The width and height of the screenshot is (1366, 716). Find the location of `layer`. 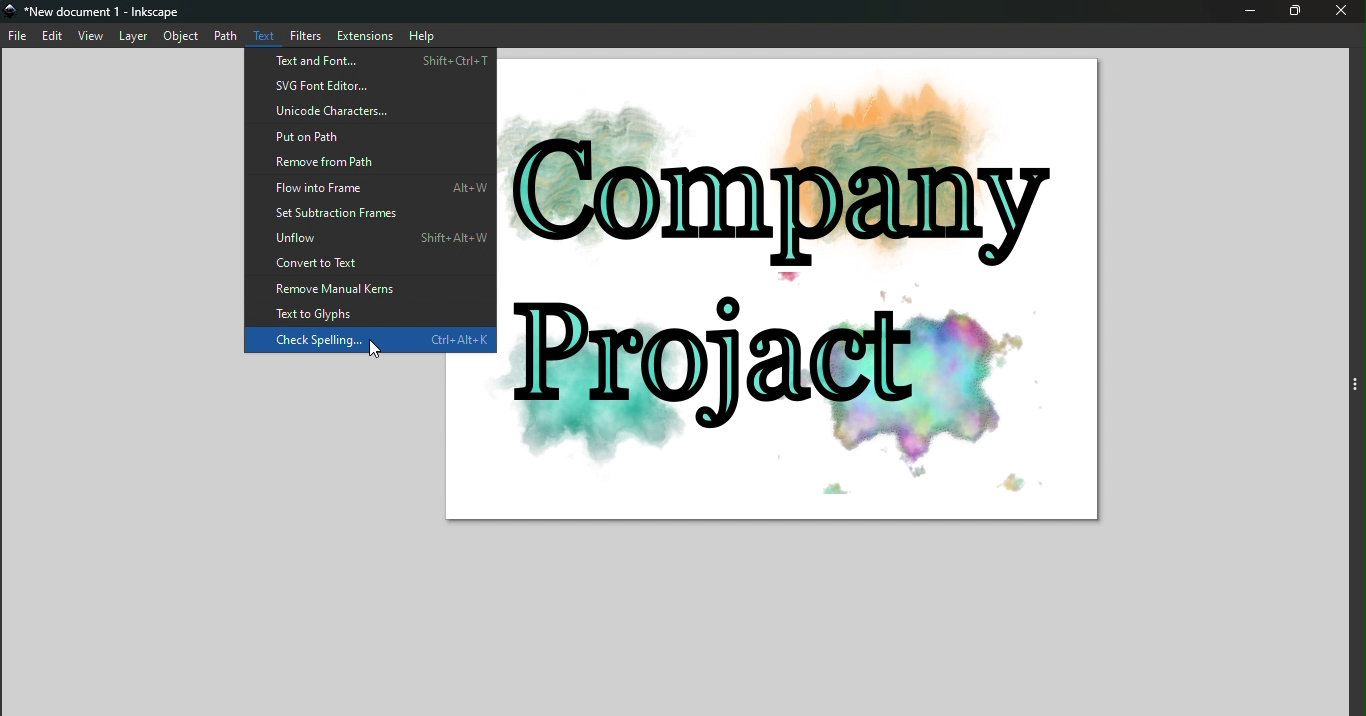

layer is located at coordinates (134, 36).